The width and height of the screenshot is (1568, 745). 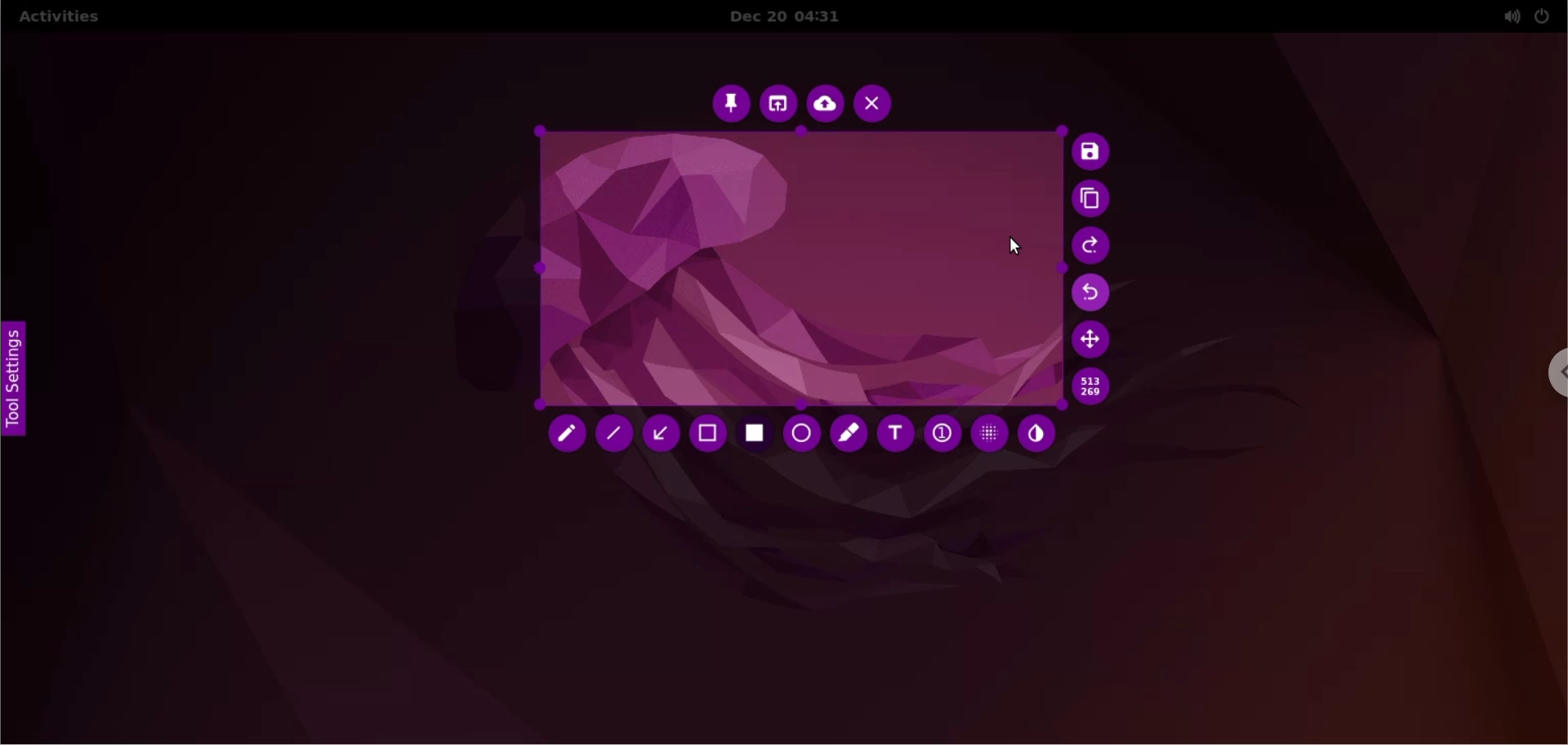 What do you see at coordinates (825, 104) in the screenshot?
I see `upload` at bounding box center [825, 104].